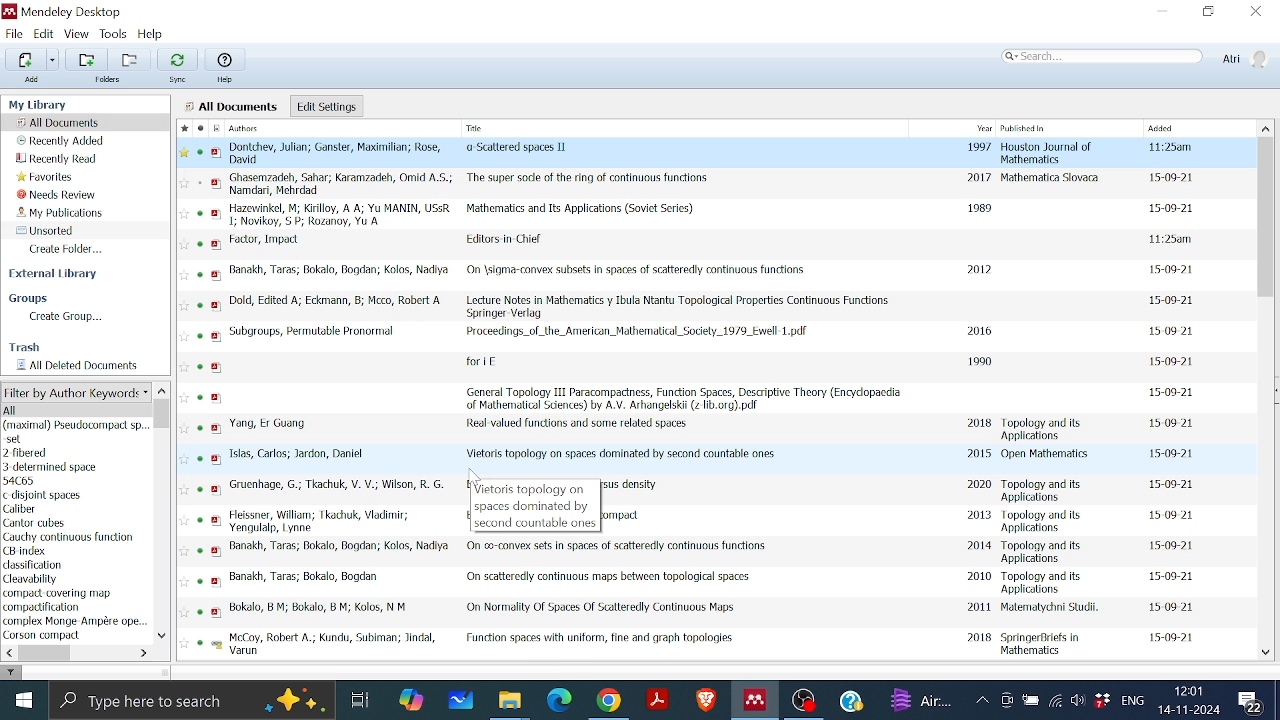 The height and width of the screenshot is (720, 1280). What do you see at coordinates (216, 183) in the screenshot?
I see `pdf` at bounding box center [216, 183].